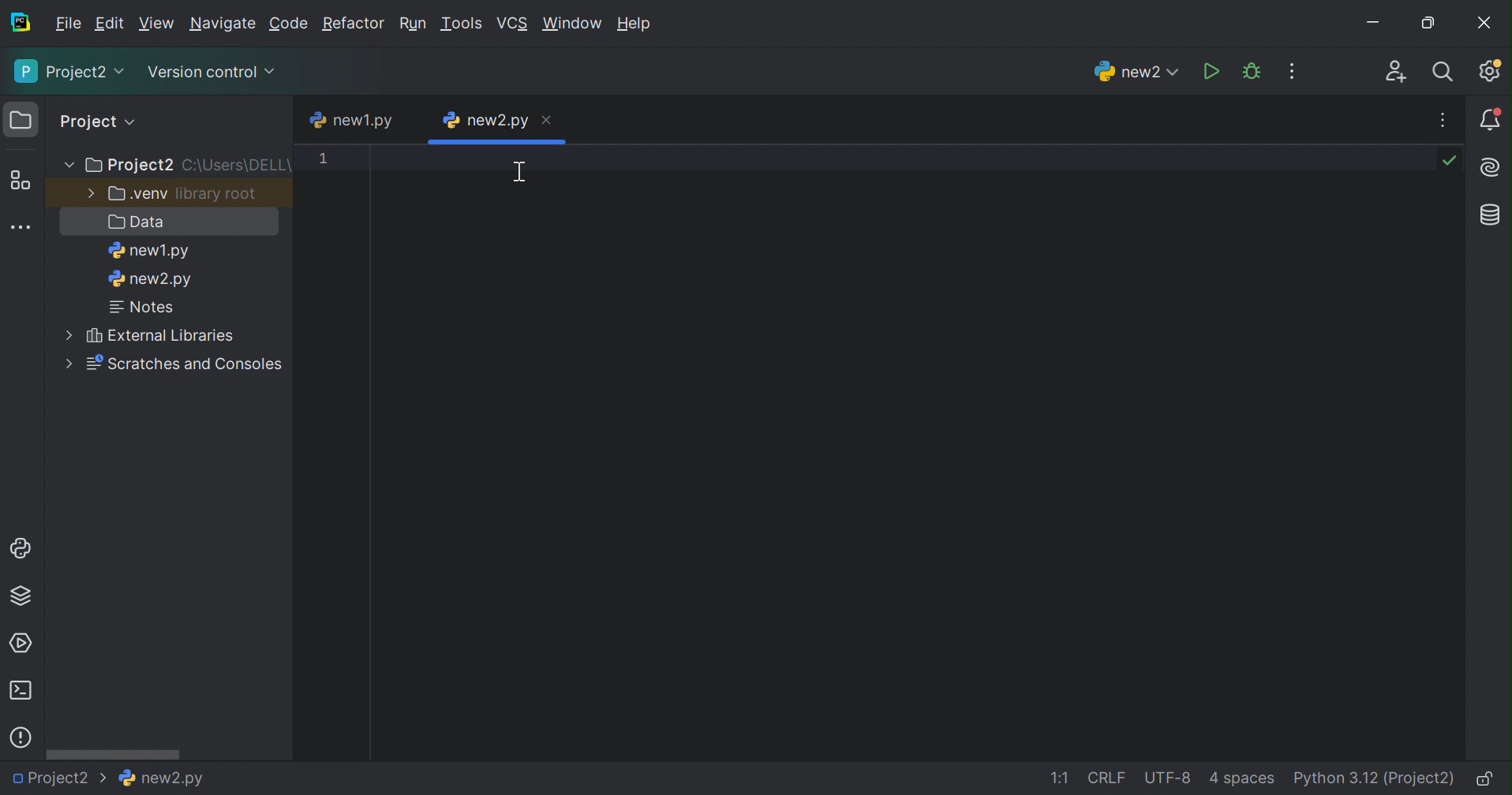 The height and width of the screenshot is (795, 1512). I want to click on 1:1, so click(1057, 778).